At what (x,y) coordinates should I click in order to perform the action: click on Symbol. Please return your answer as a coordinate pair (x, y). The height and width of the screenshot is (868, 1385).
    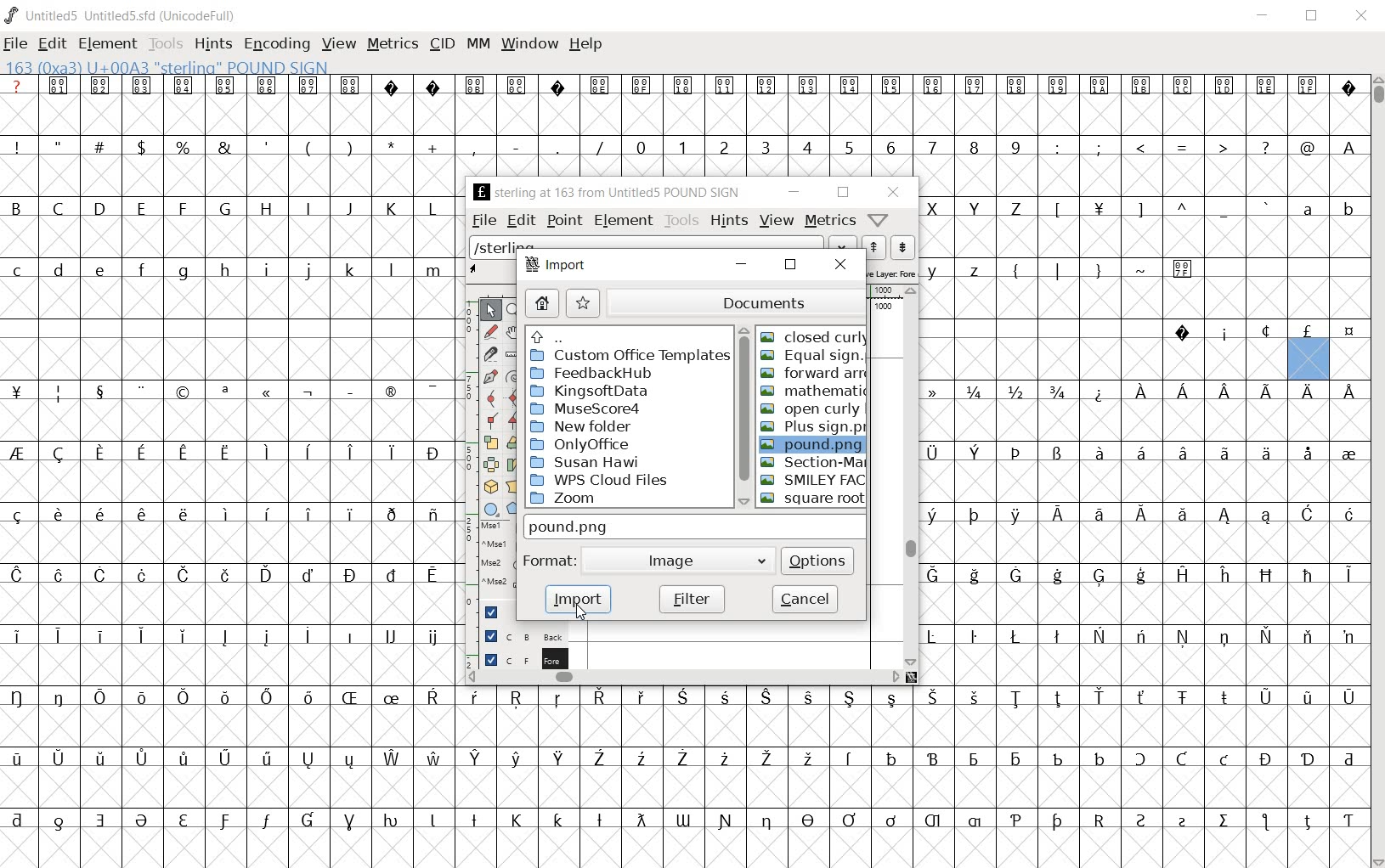
    Looking at the image, I should click on (226, 86).